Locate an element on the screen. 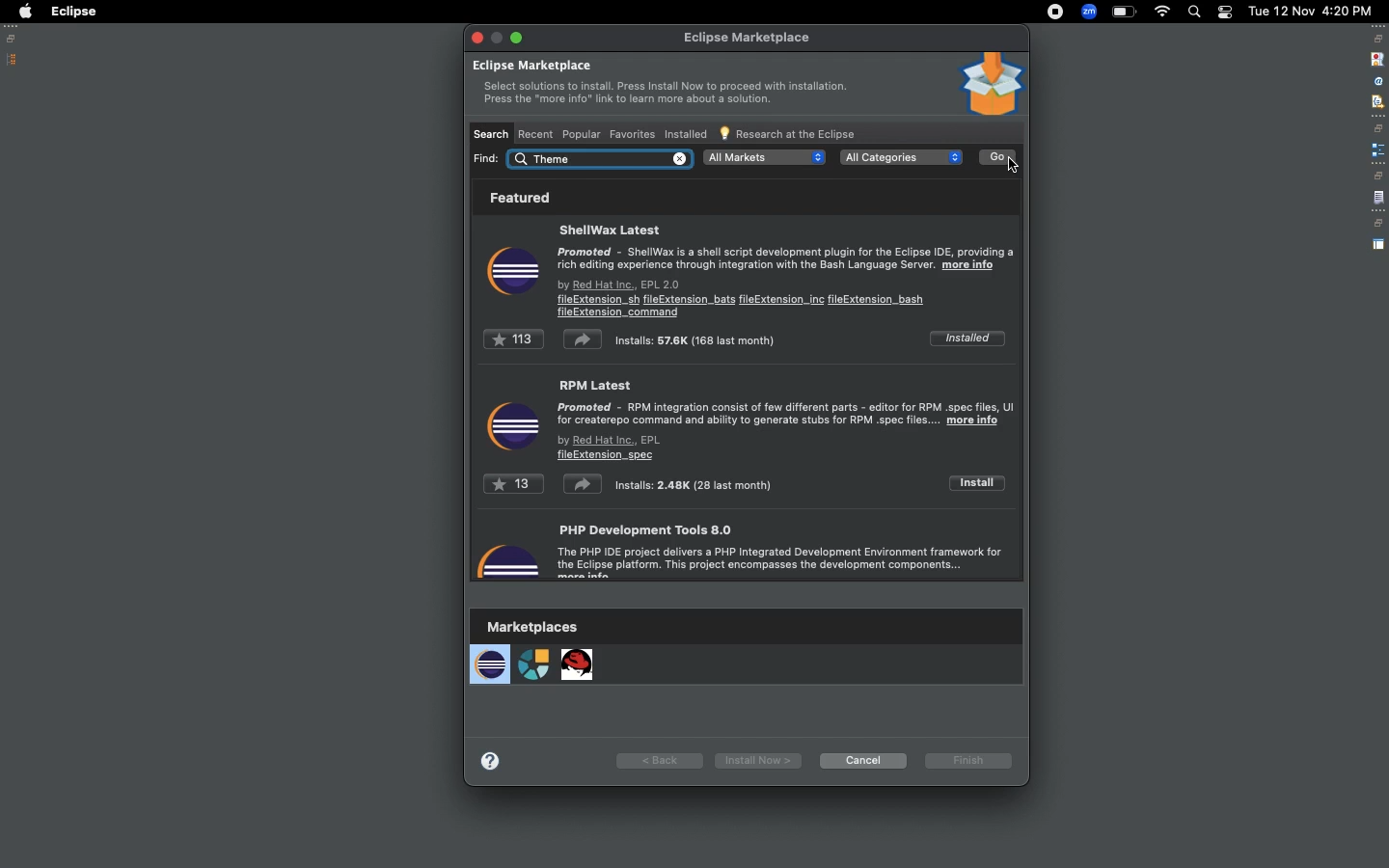  attribute is located at coordinates (1376, 82).